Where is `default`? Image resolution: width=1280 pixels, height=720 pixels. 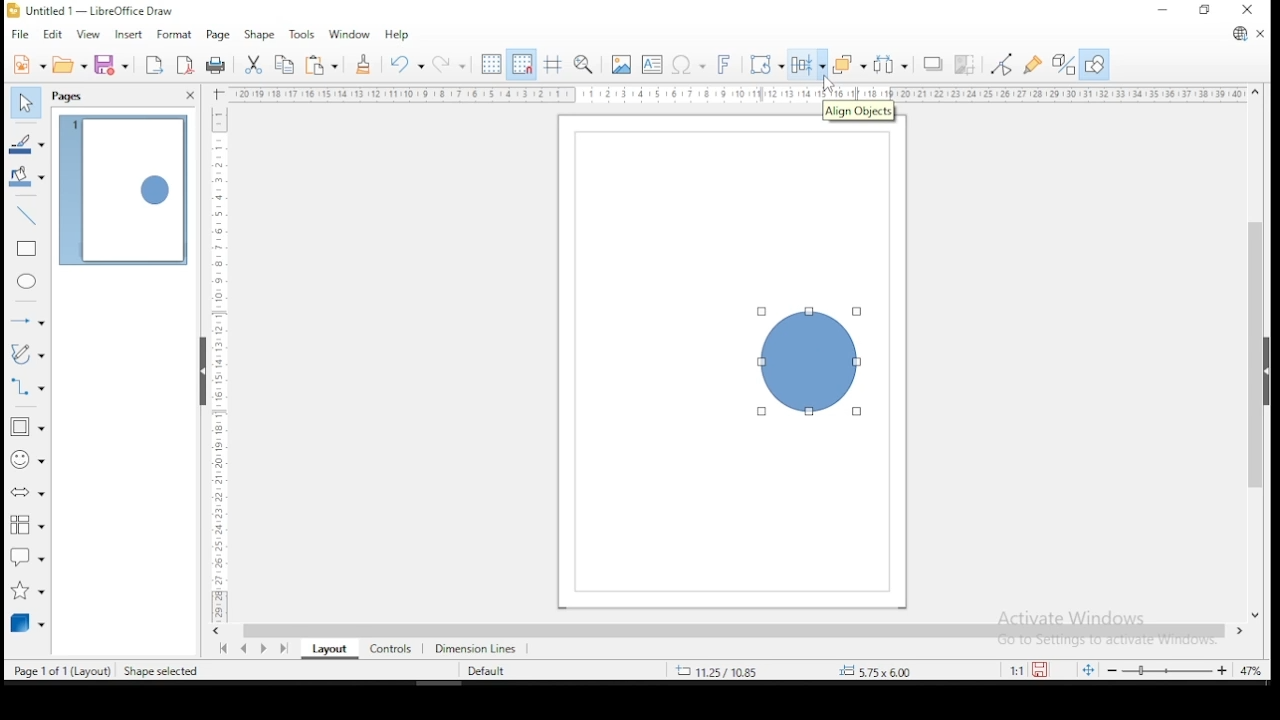 default is located at coordinates (486, 672).